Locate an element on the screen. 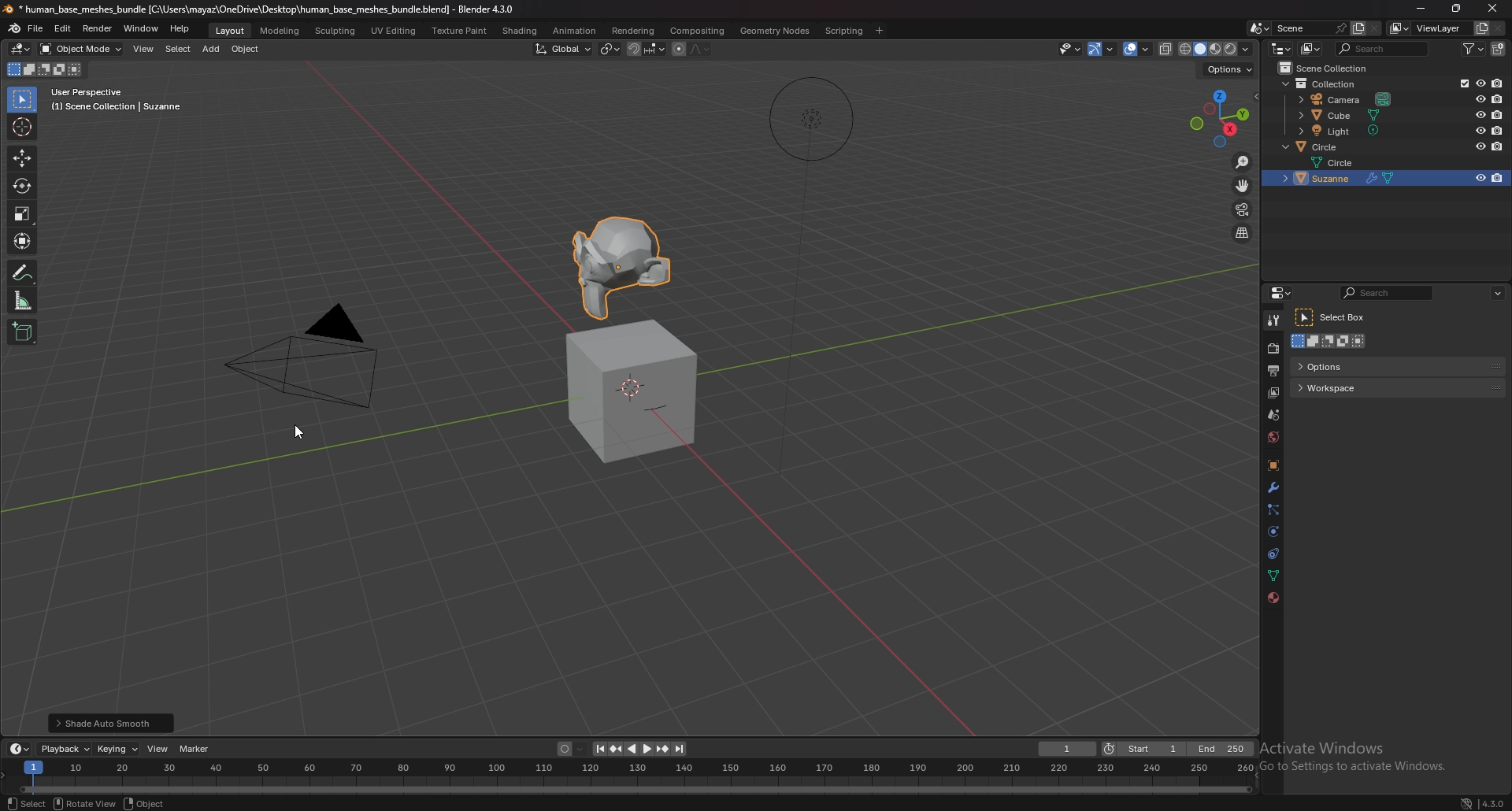 The height and width of the screenshot is (811, 1512). viewport shading is located at coordinates (1217, 48).